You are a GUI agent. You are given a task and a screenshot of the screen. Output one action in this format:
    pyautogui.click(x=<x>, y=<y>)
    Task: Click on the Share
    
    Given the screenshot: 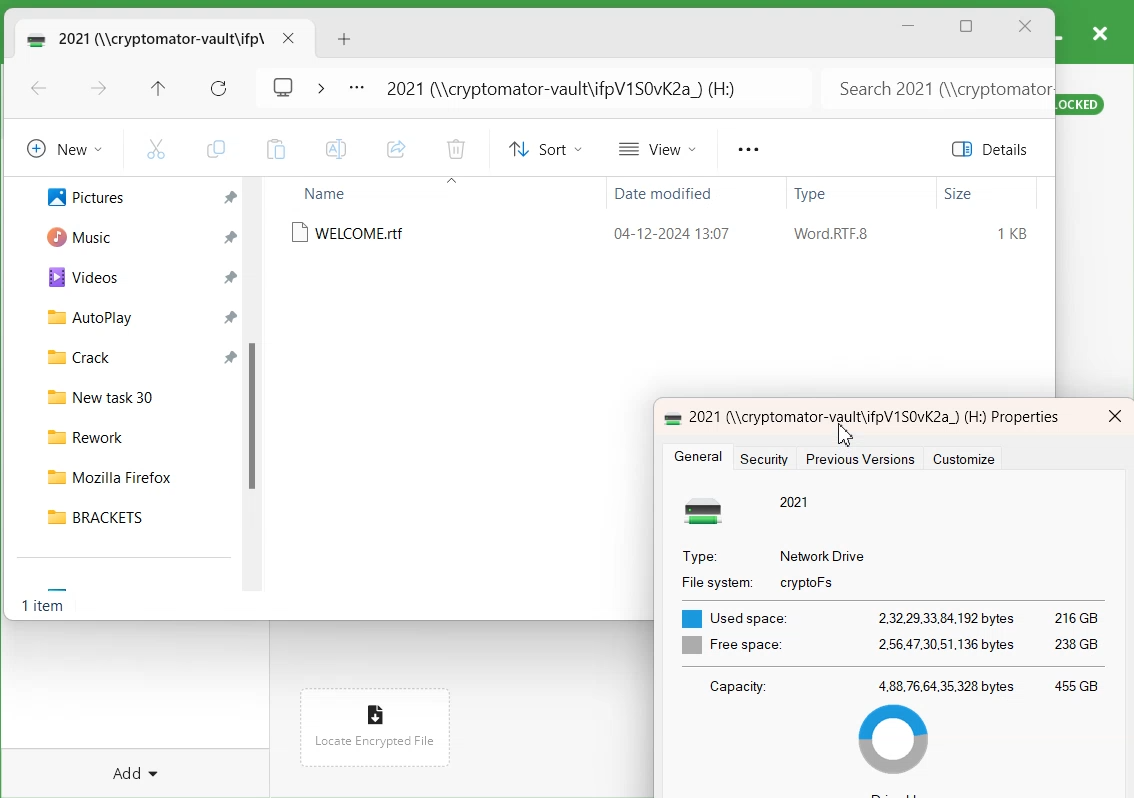 What is the action you would take?
    pyautogui.click(x=396, y=150)
    